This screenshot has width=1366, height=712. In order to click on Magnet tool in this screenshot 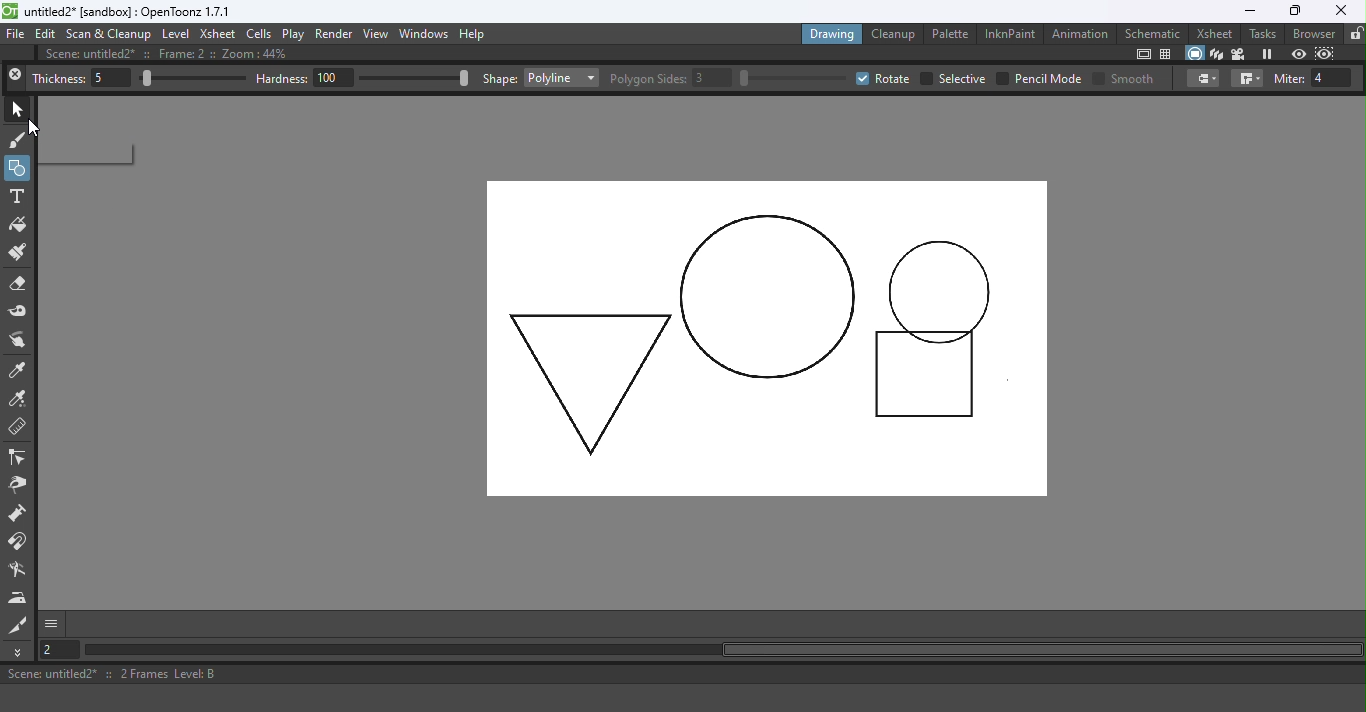, I will do `click(20, 543)`.